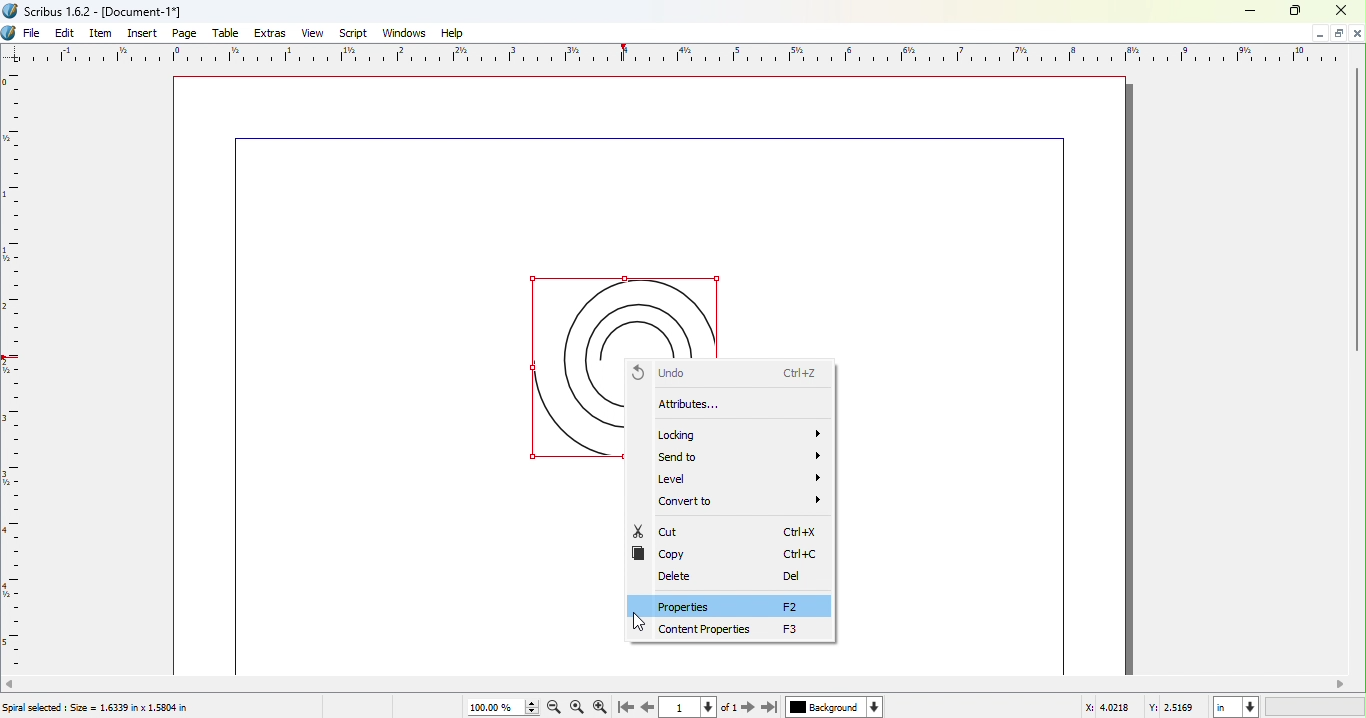 The height and width of the screenshot is (718, 1366). What do you see at coordinates (1178, 708) in the screenshot?
I see `Y co-ordinate` at bounding box center [1178, 708].